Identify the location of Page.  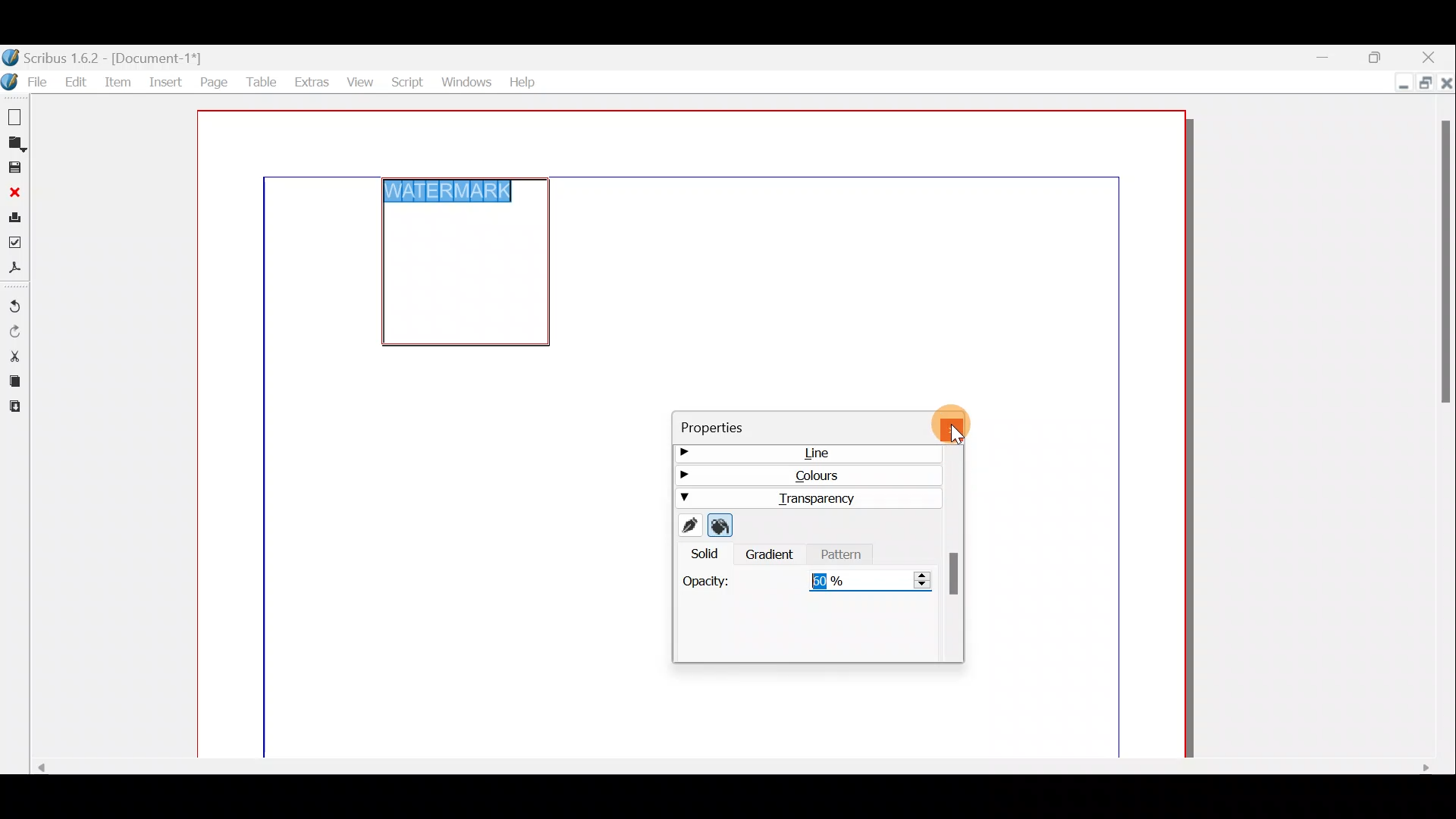
(212, 81).